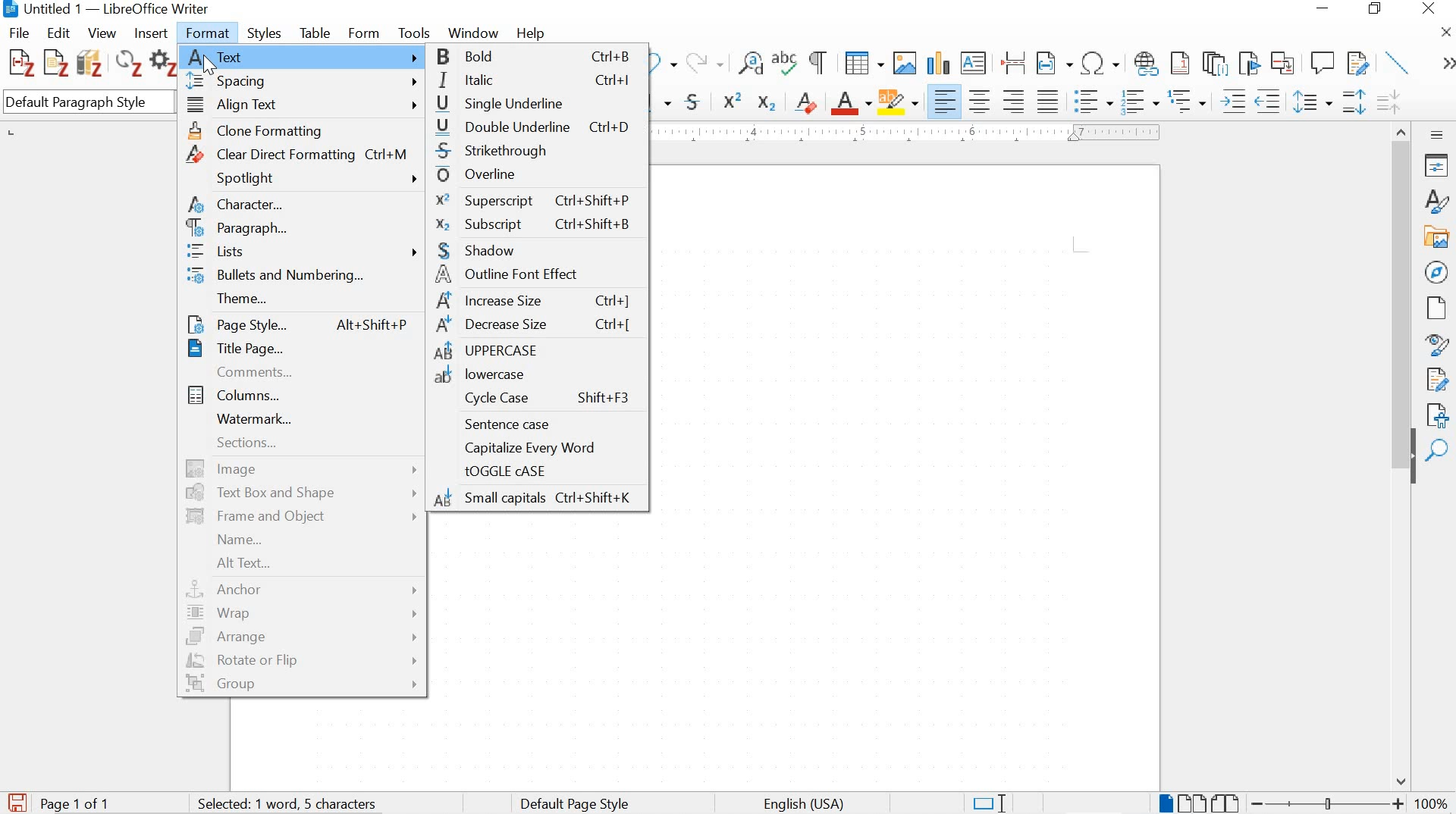 Image resolution: width=1456 pixels, height=814 pixels. I want to click on insert image, so click(904, 62).